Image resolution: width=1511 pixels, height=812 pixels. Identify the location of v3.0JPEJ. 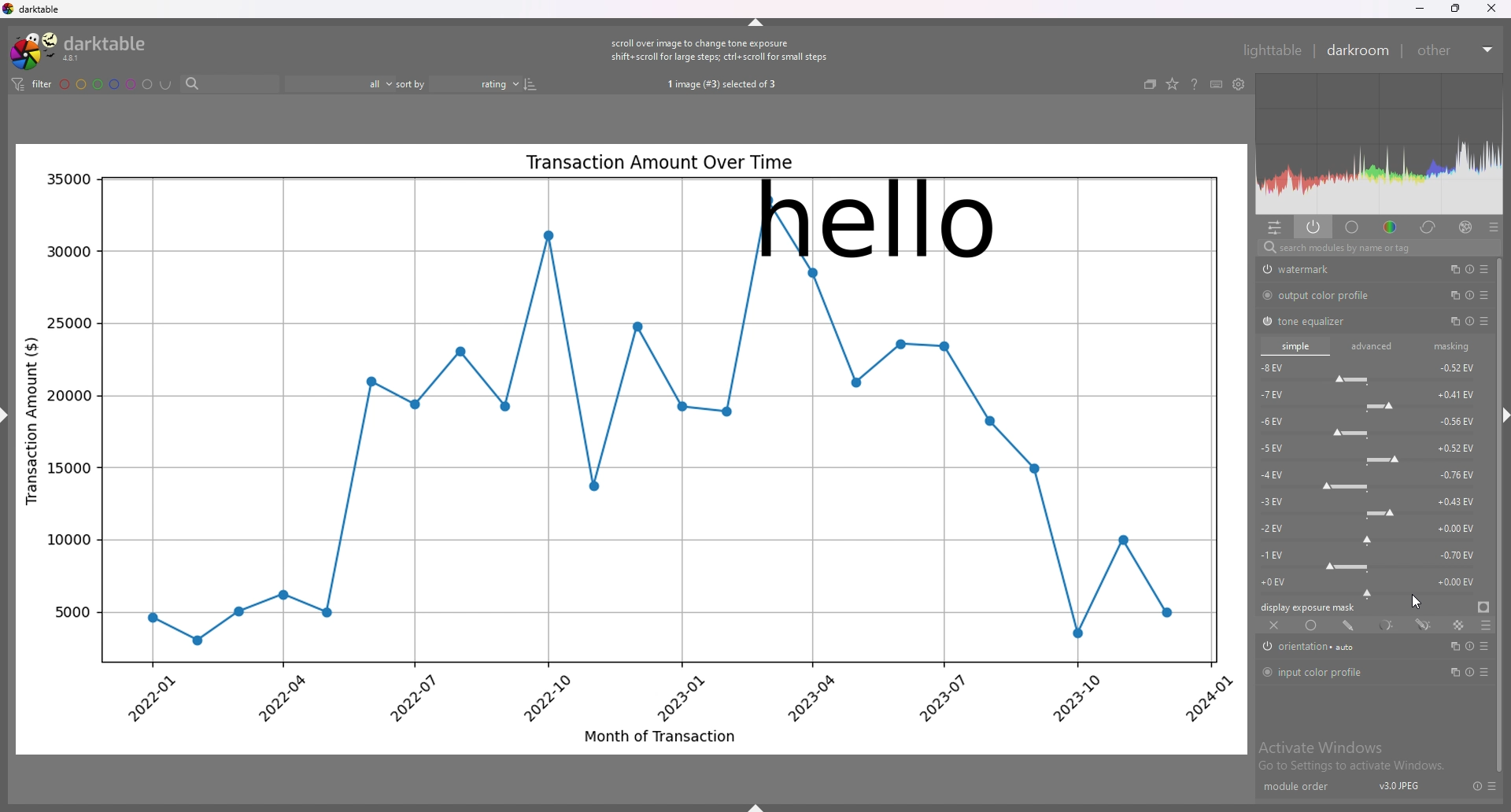
(1396, 786).